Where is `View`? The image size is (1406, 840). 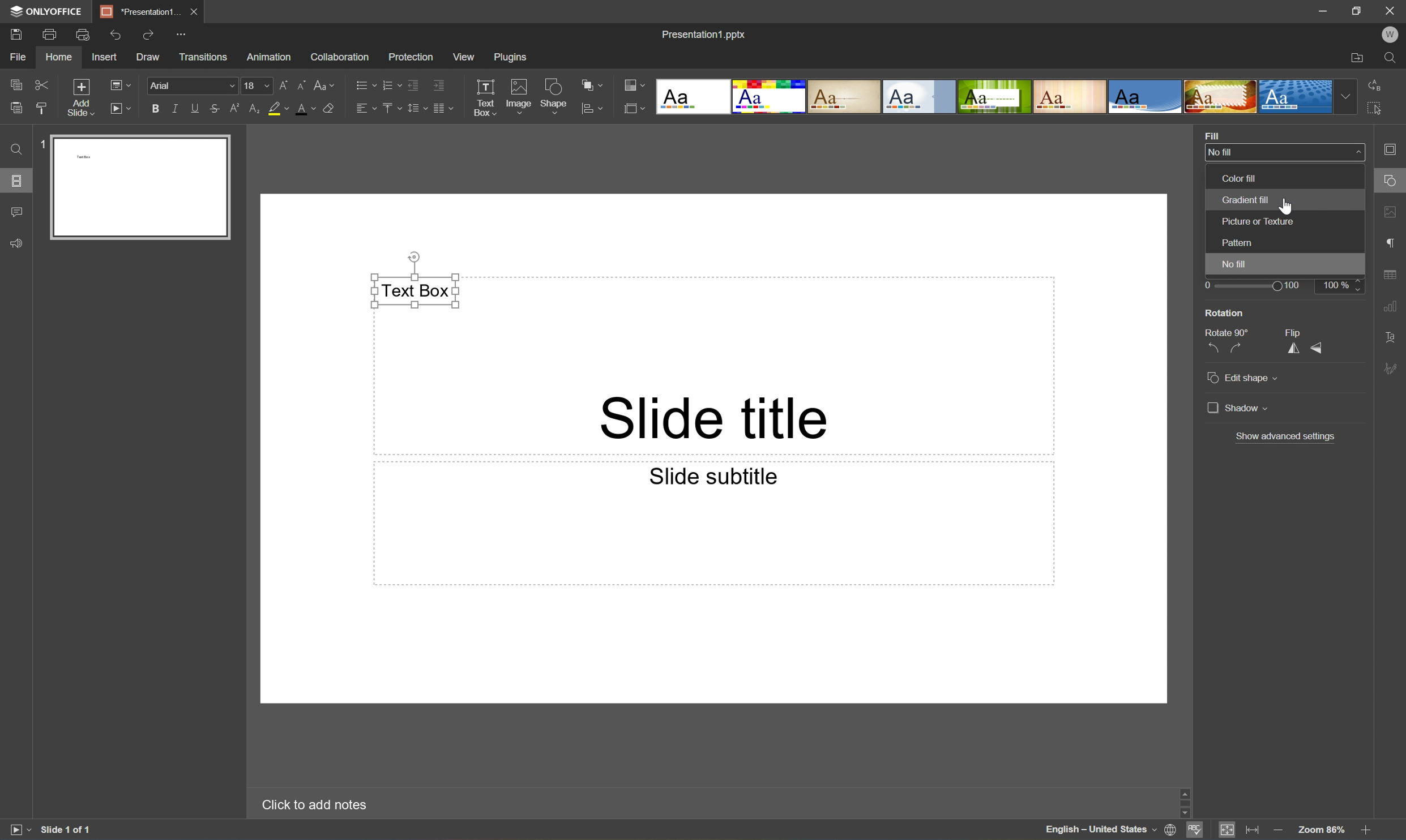 View is located at coordinates (462, 57).